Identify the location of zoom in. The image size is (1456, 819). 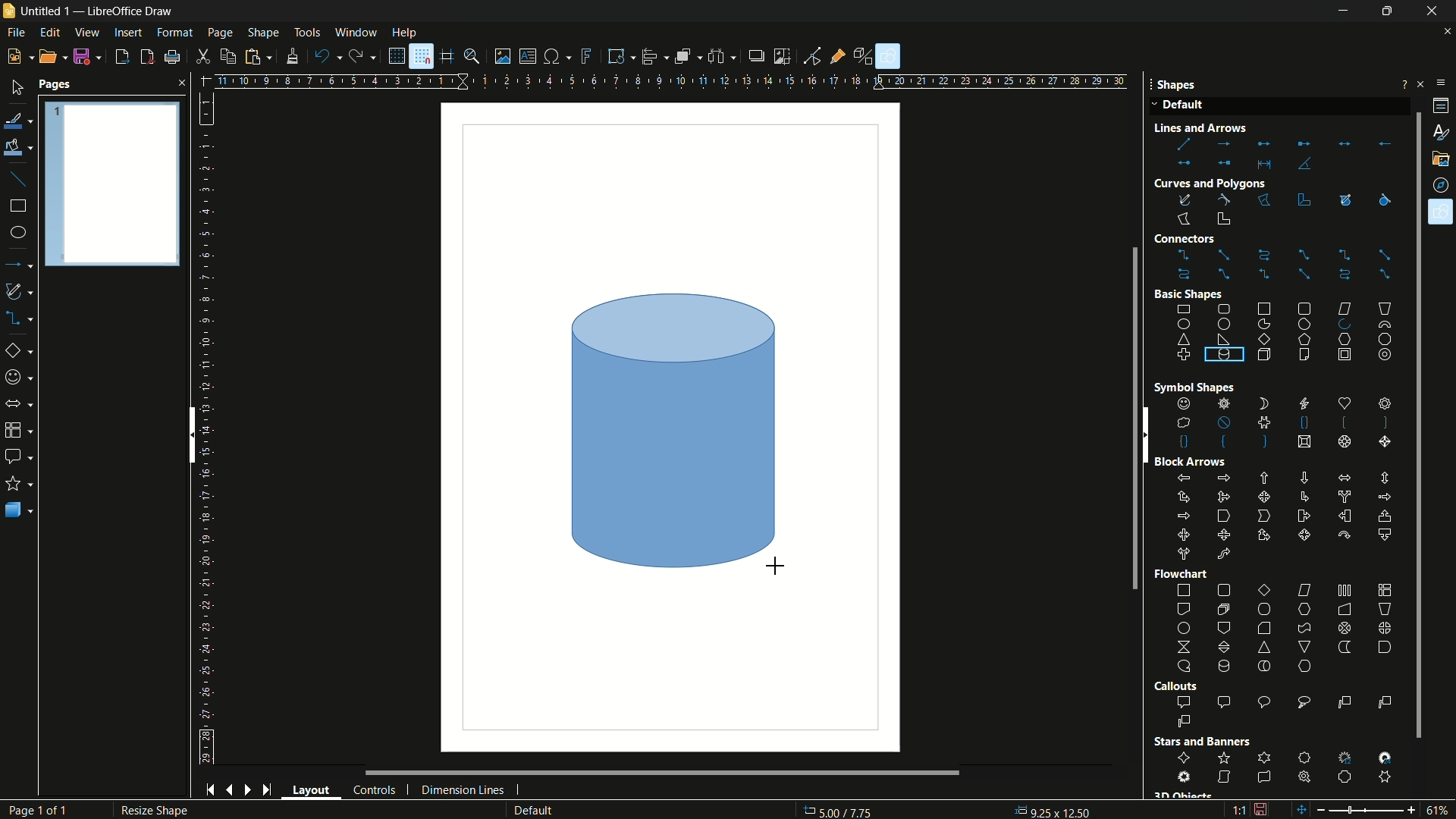
(1413, 808).